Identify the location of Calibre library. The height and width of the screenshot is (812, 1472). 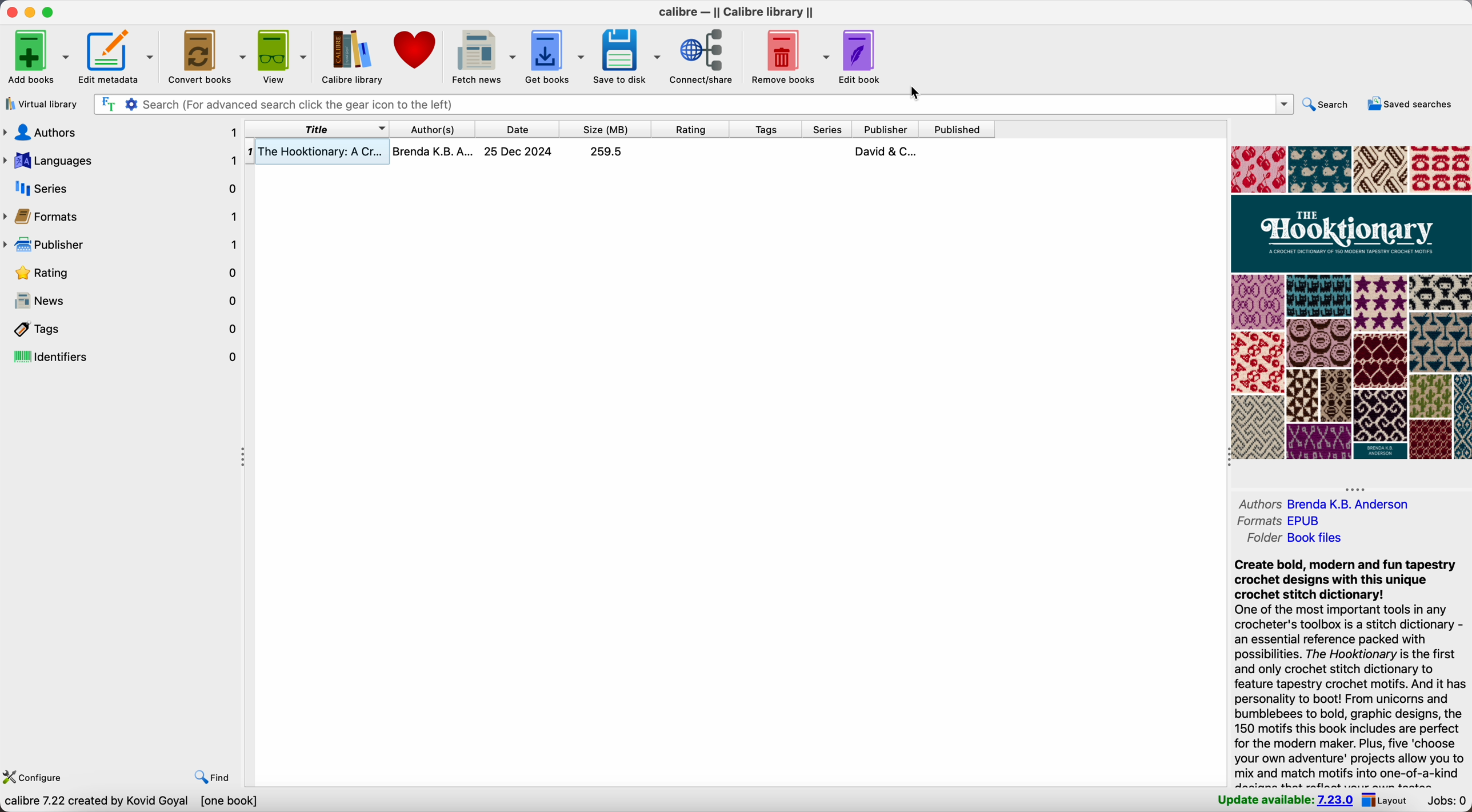
(351, 55).